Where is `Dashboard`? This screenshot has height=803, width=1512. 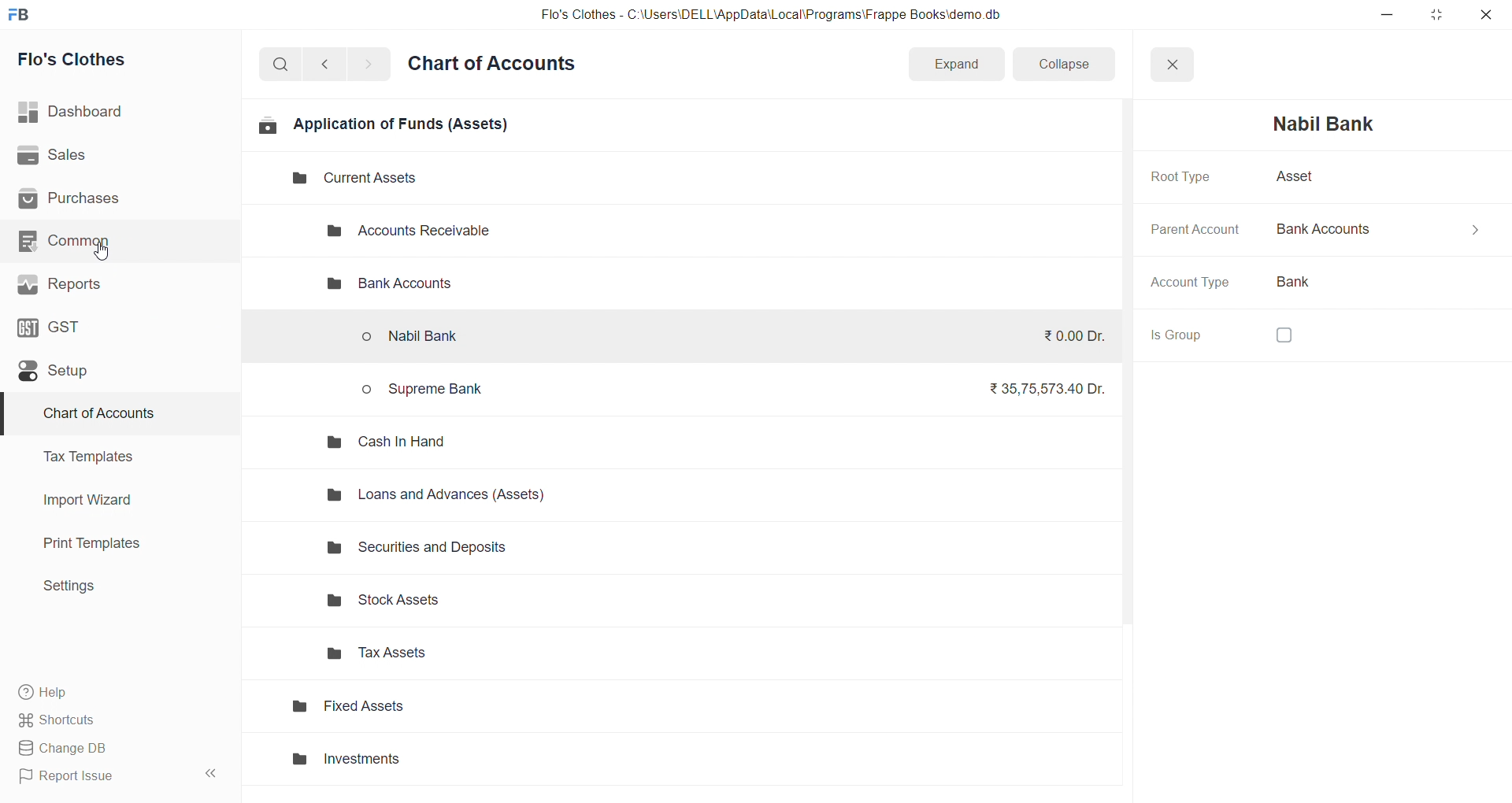 Dashboard is located at coordinates (116, 112).